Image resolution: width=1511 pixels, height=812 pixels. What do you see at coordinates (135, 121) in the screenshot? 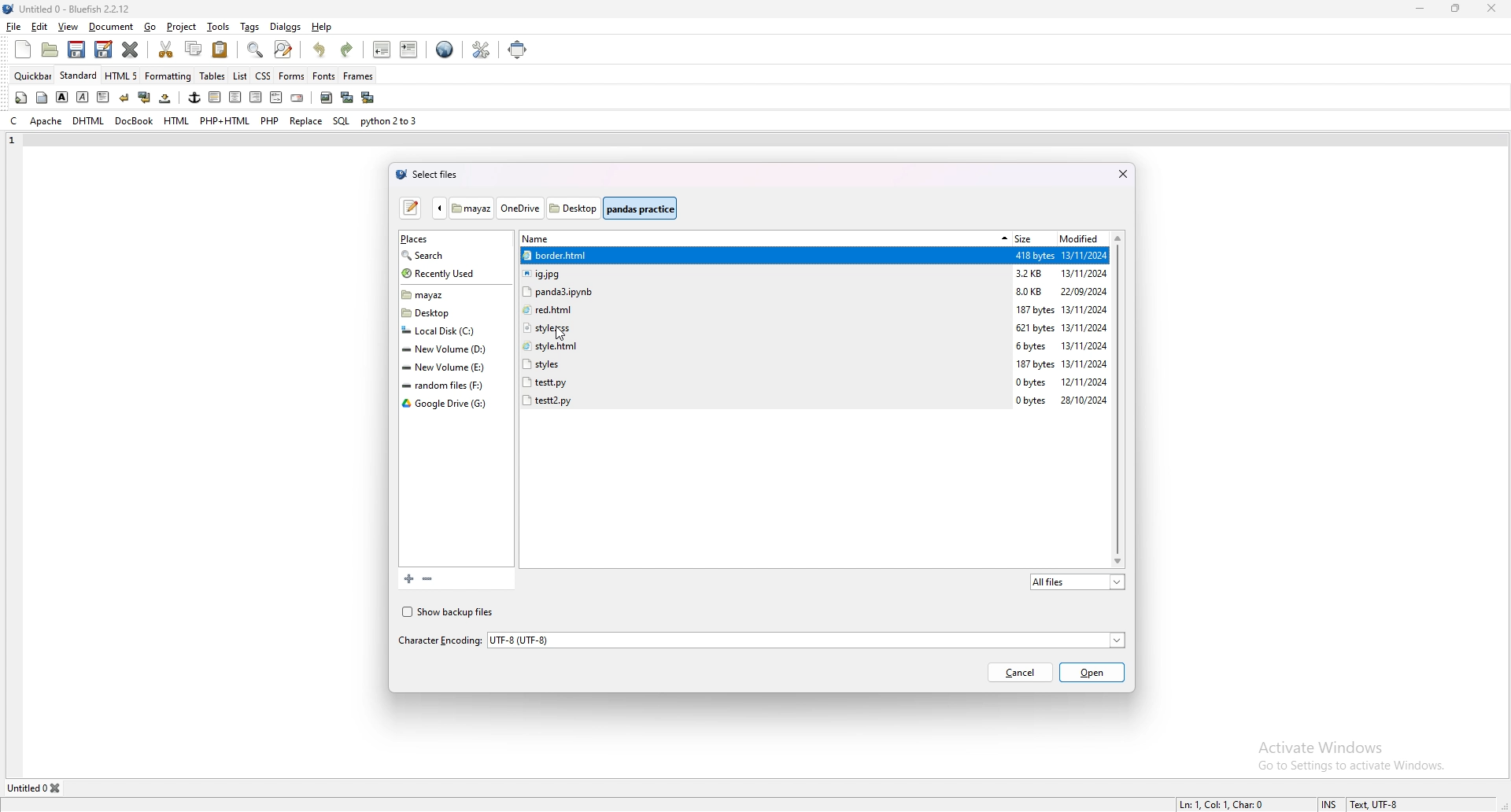
I see `docbook` at bounding box center [135, 121].